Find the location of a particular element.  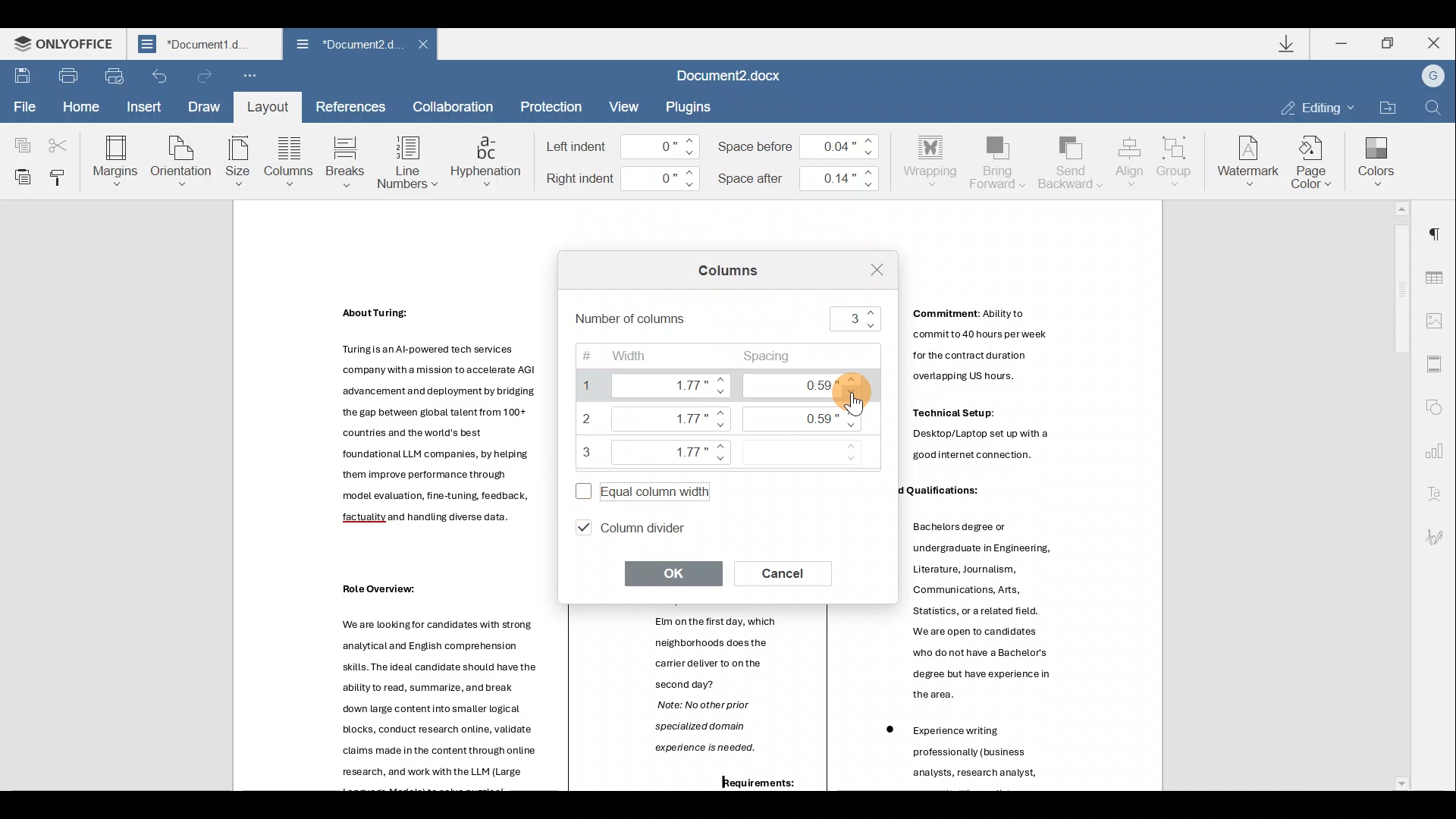

Wrapping is located at coordinates (934, 158).